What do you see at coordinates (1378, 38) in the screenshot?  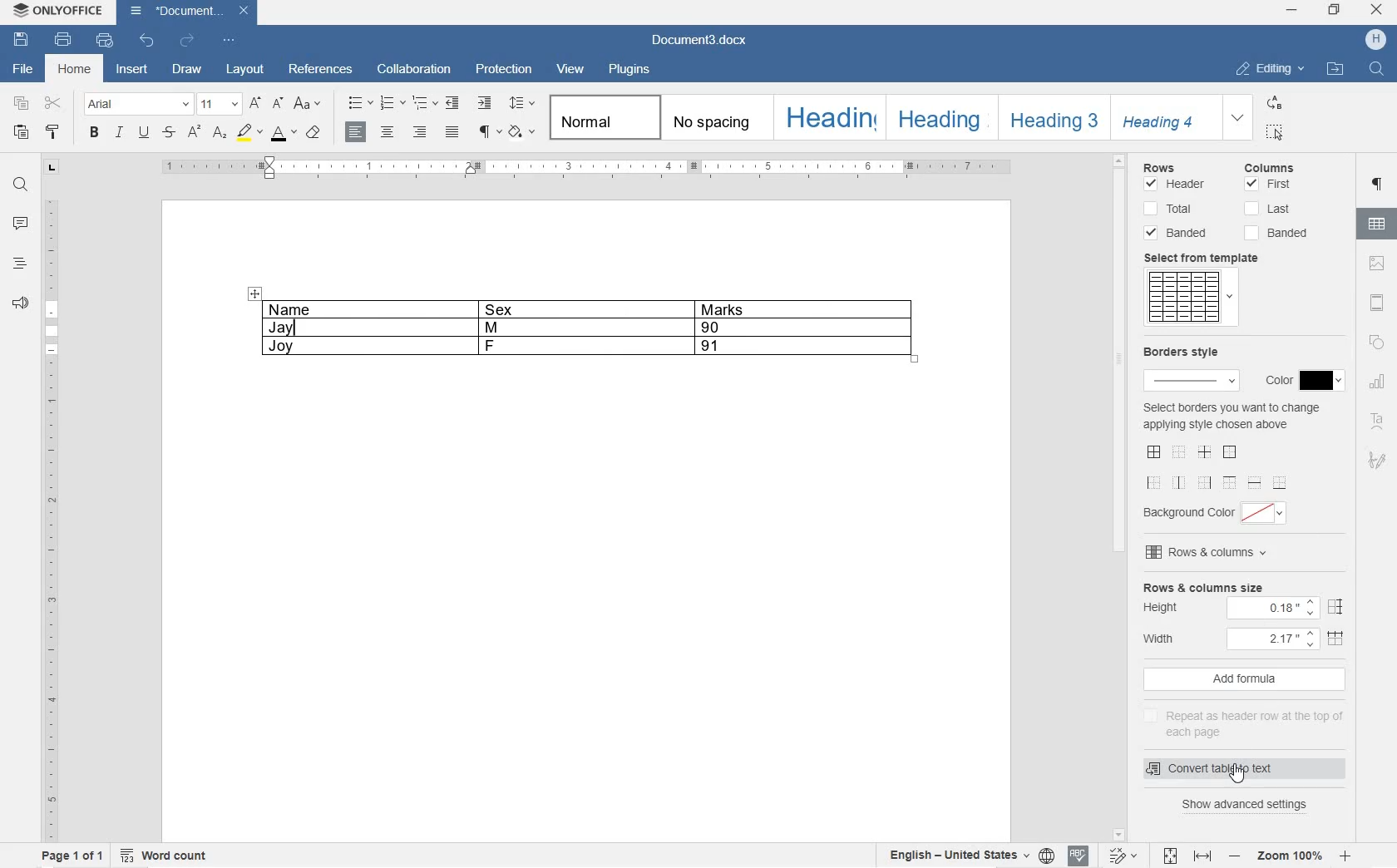 I see `HP` at bounding box center [1378, 38].